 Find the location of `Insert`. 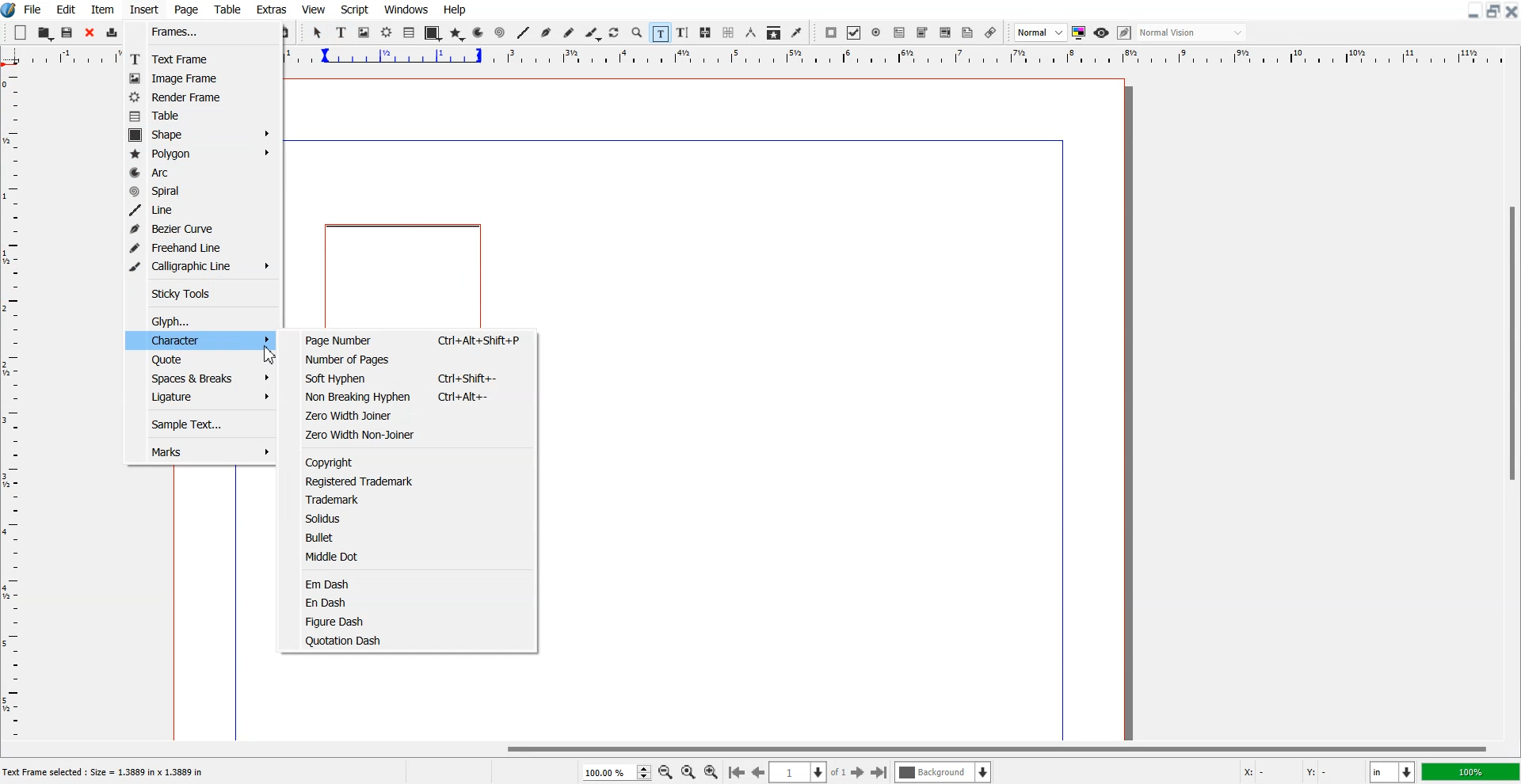

Insert is located at coordinates (143, 10).